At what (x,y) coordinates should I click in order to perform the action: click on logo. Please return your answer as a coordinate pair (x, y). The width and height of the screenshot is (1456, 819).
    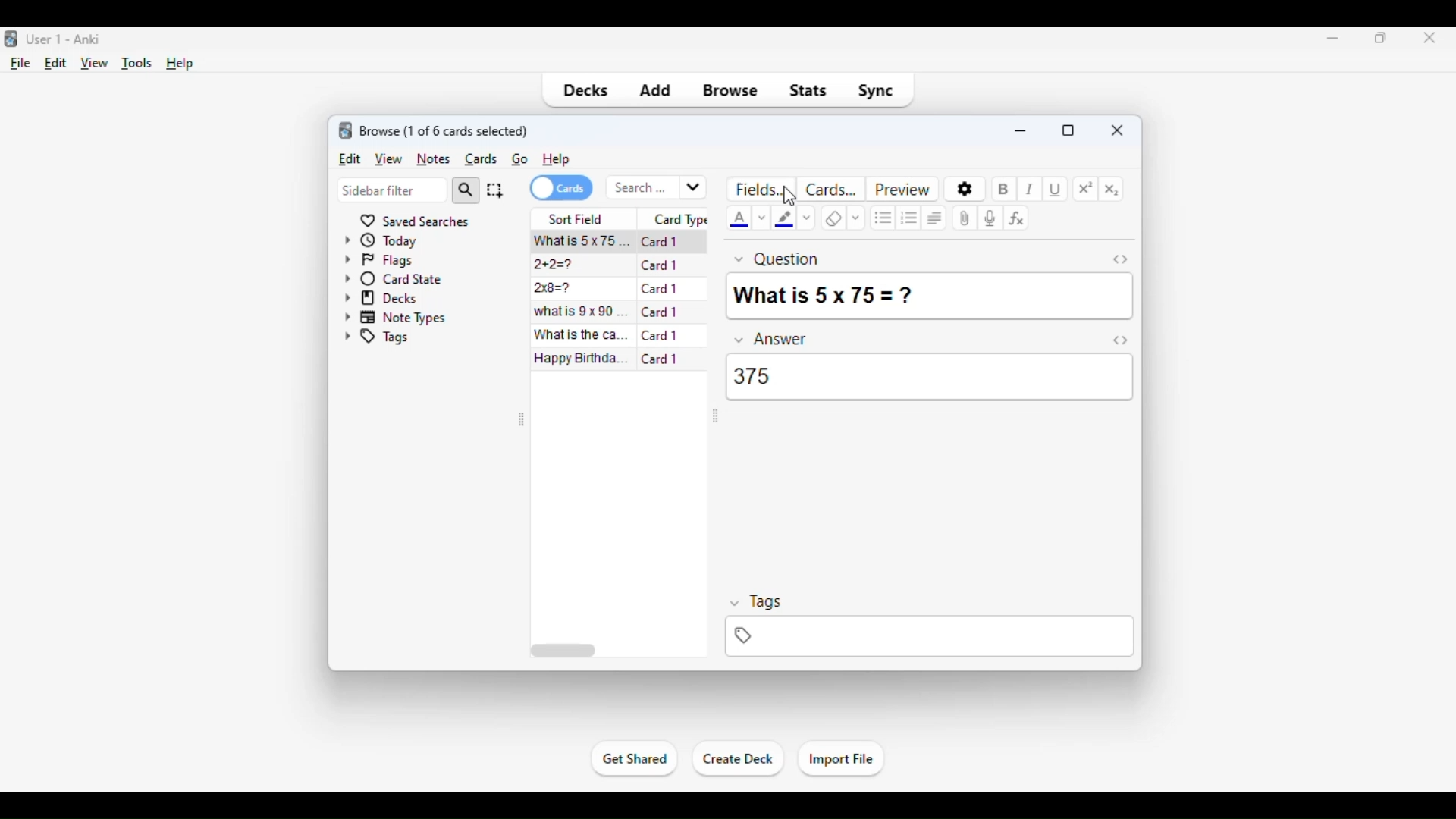
    Looking at the image, I should click on (9, 39).